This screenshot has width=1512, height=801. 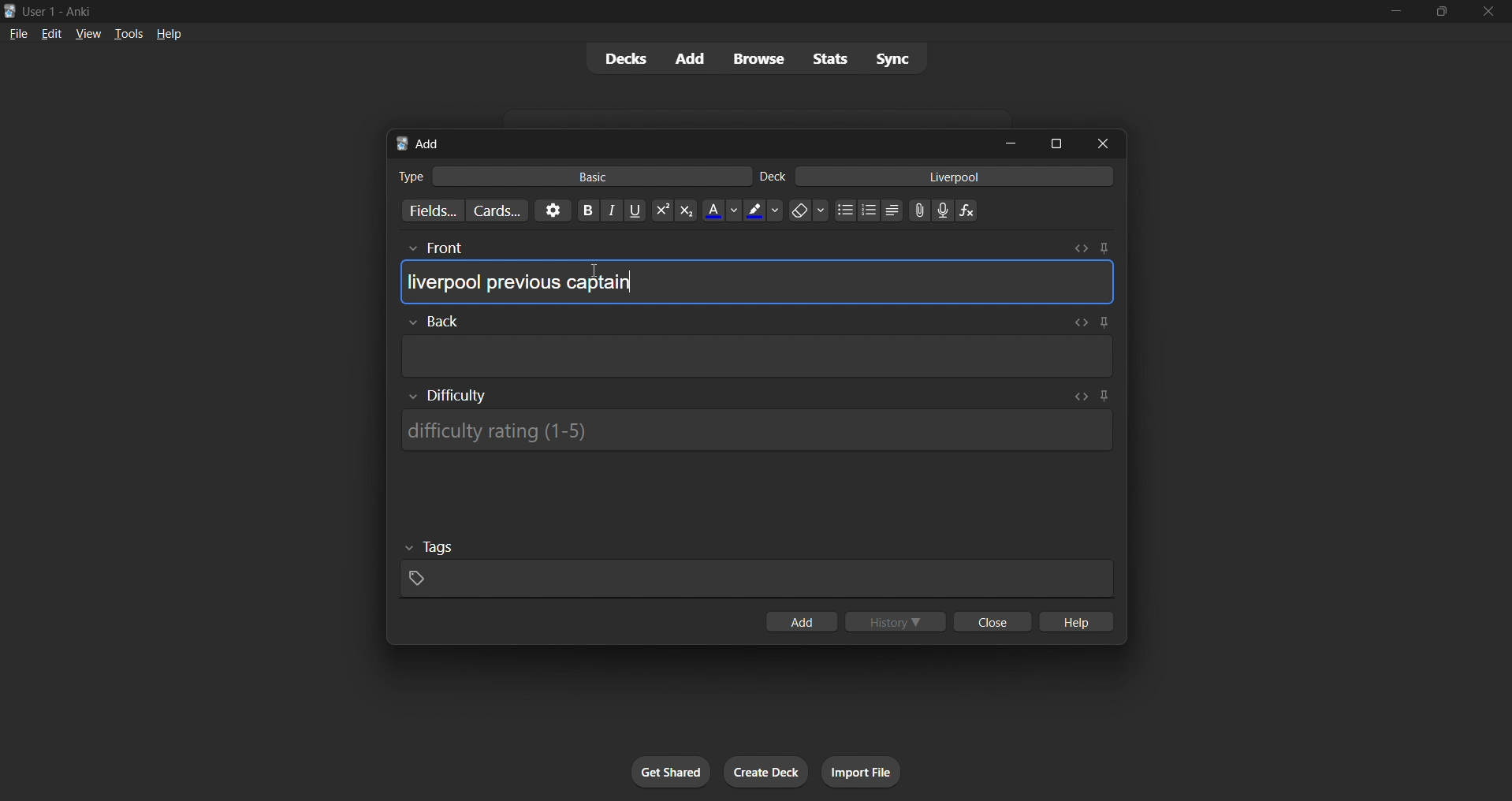 What do you see at coordinates (128, 33) in the screenshot?
I see `tools` at bounding box center [128, 33].